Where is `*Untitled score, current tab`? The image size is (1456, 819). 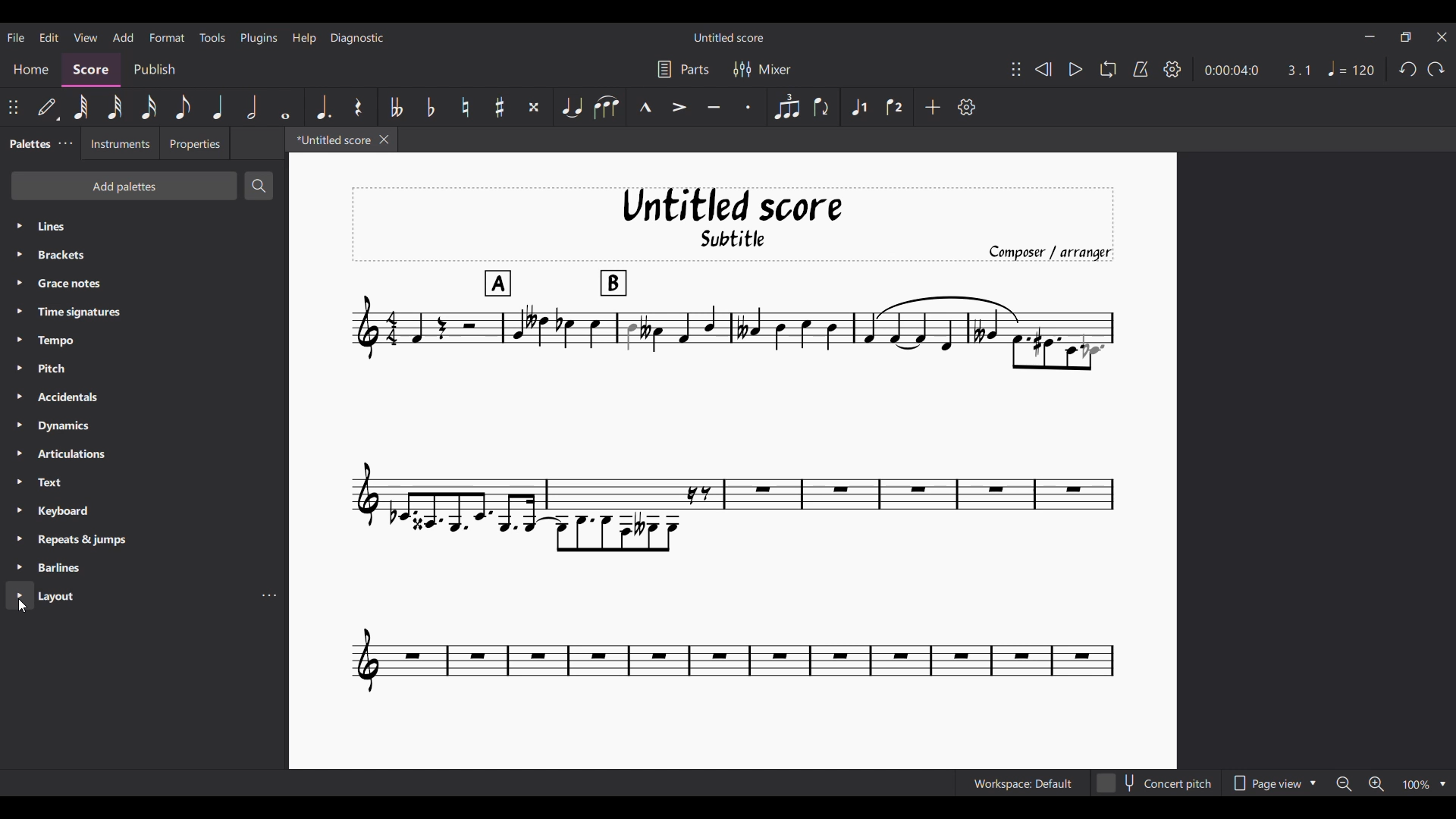 *Untitled score, current tab is located at coordinates (331, 139).